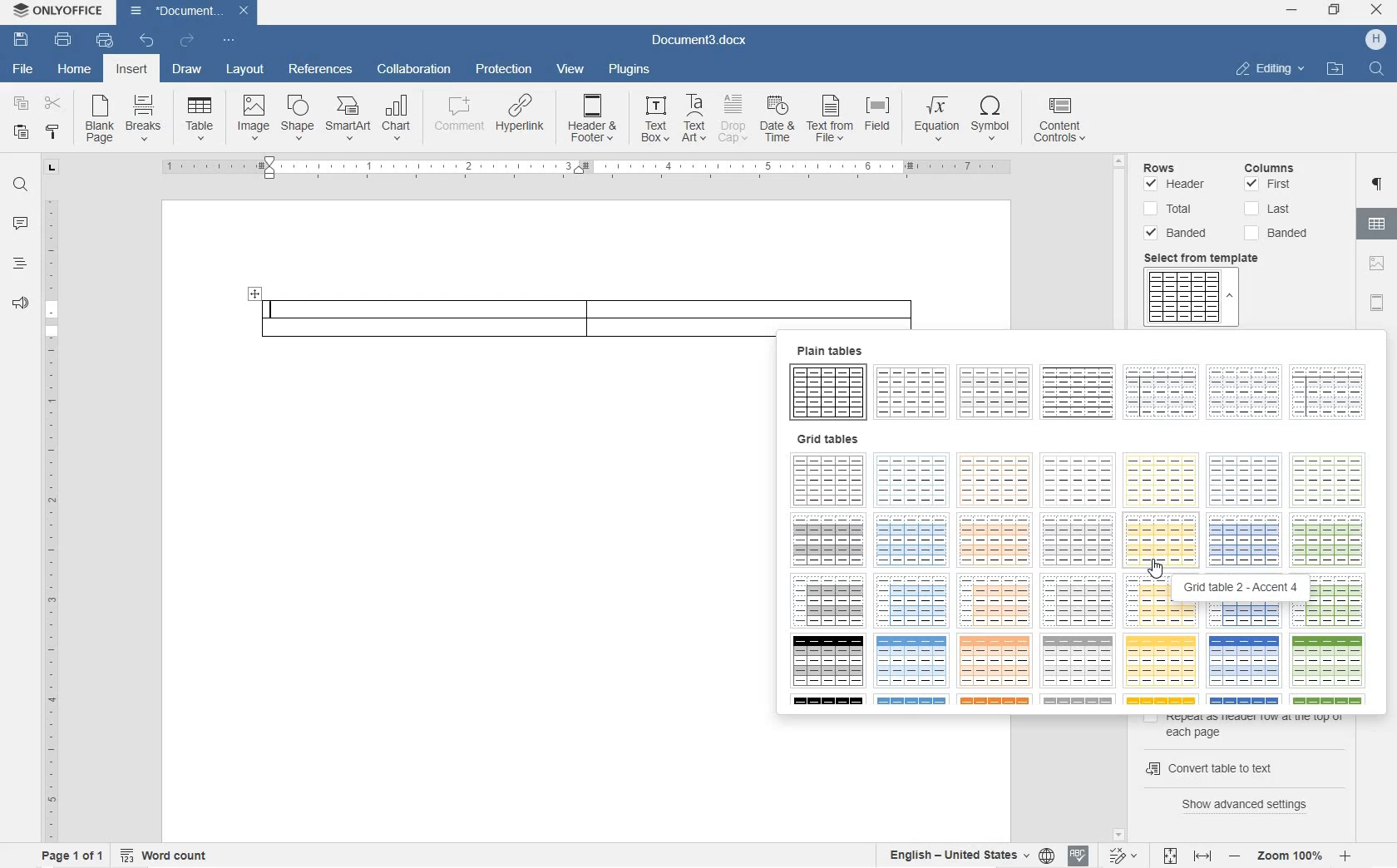 The image size is (1397, 868). I want to click on RULER, so click(49, 516).